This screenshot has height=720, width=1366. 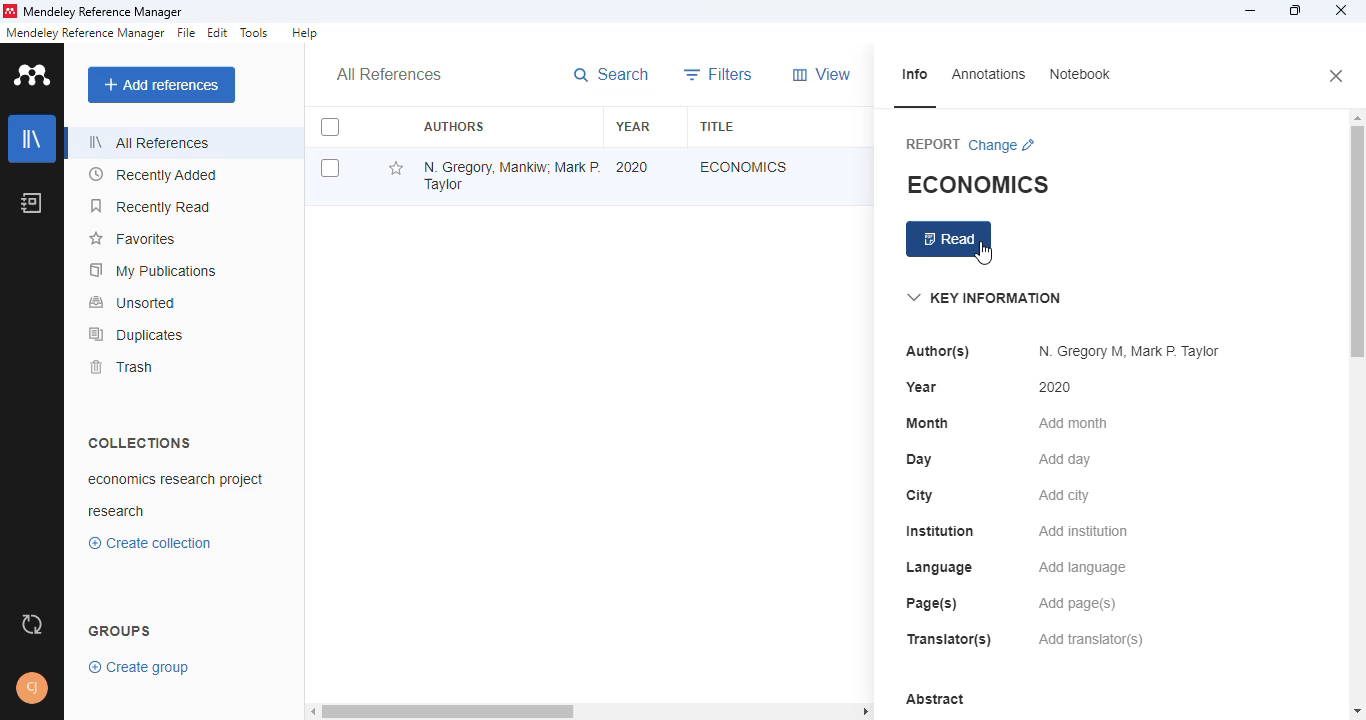 I want to click on add translator(s), so click(x=1090, y=638).